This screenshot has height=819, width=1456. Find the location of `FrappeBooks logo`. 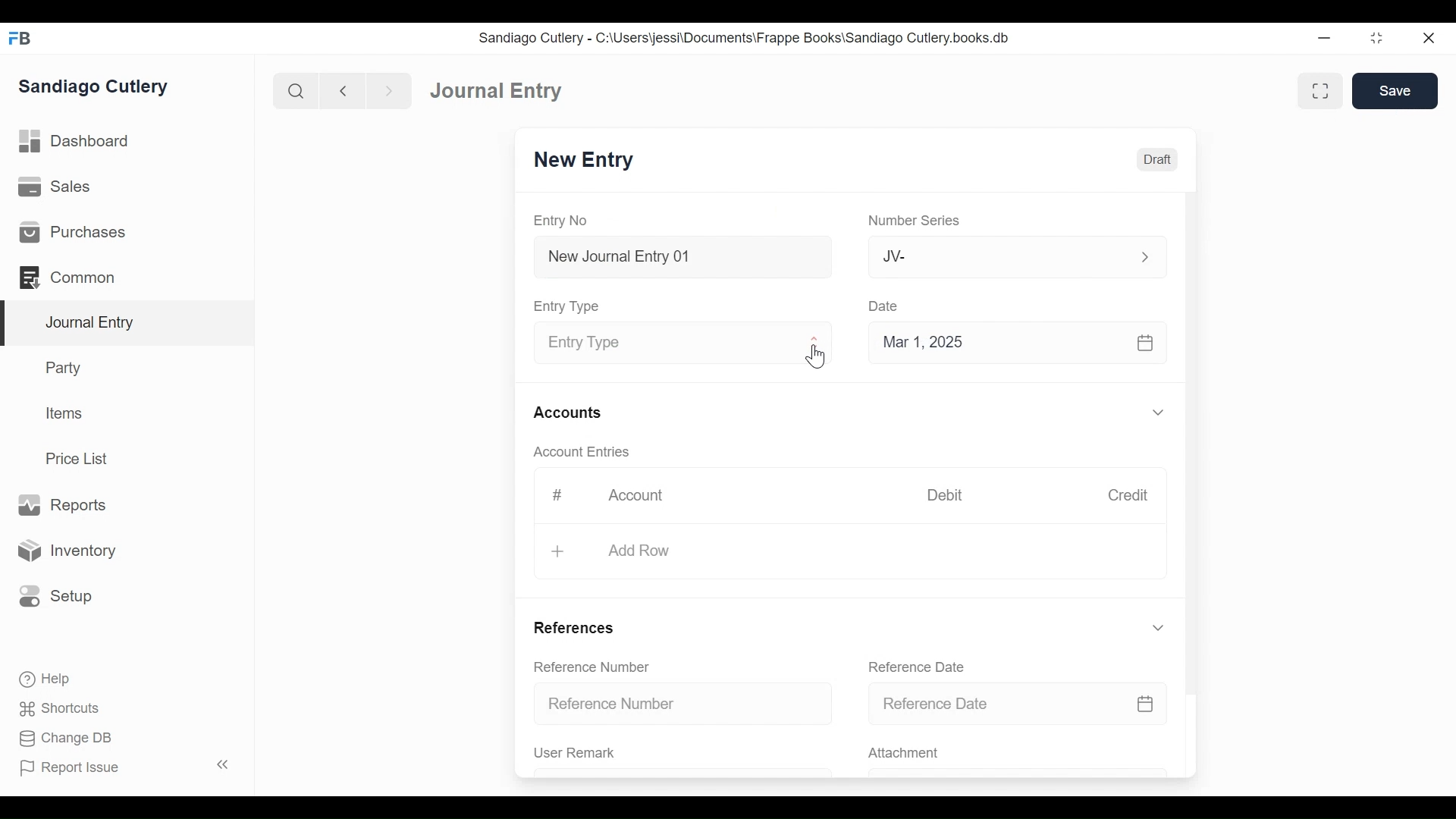

FrappeBooks logo is located at coordinates (19, 38).